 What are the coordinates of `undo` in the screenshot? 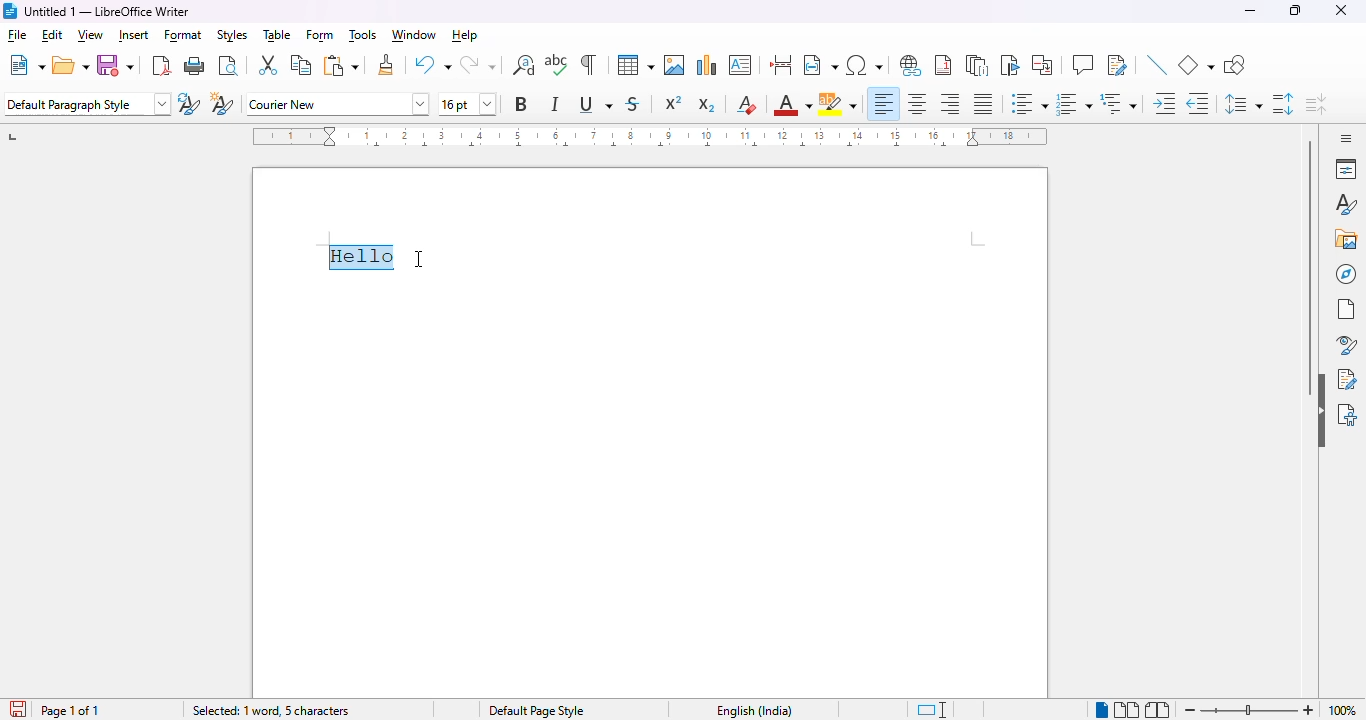 It's located at (432, 64).